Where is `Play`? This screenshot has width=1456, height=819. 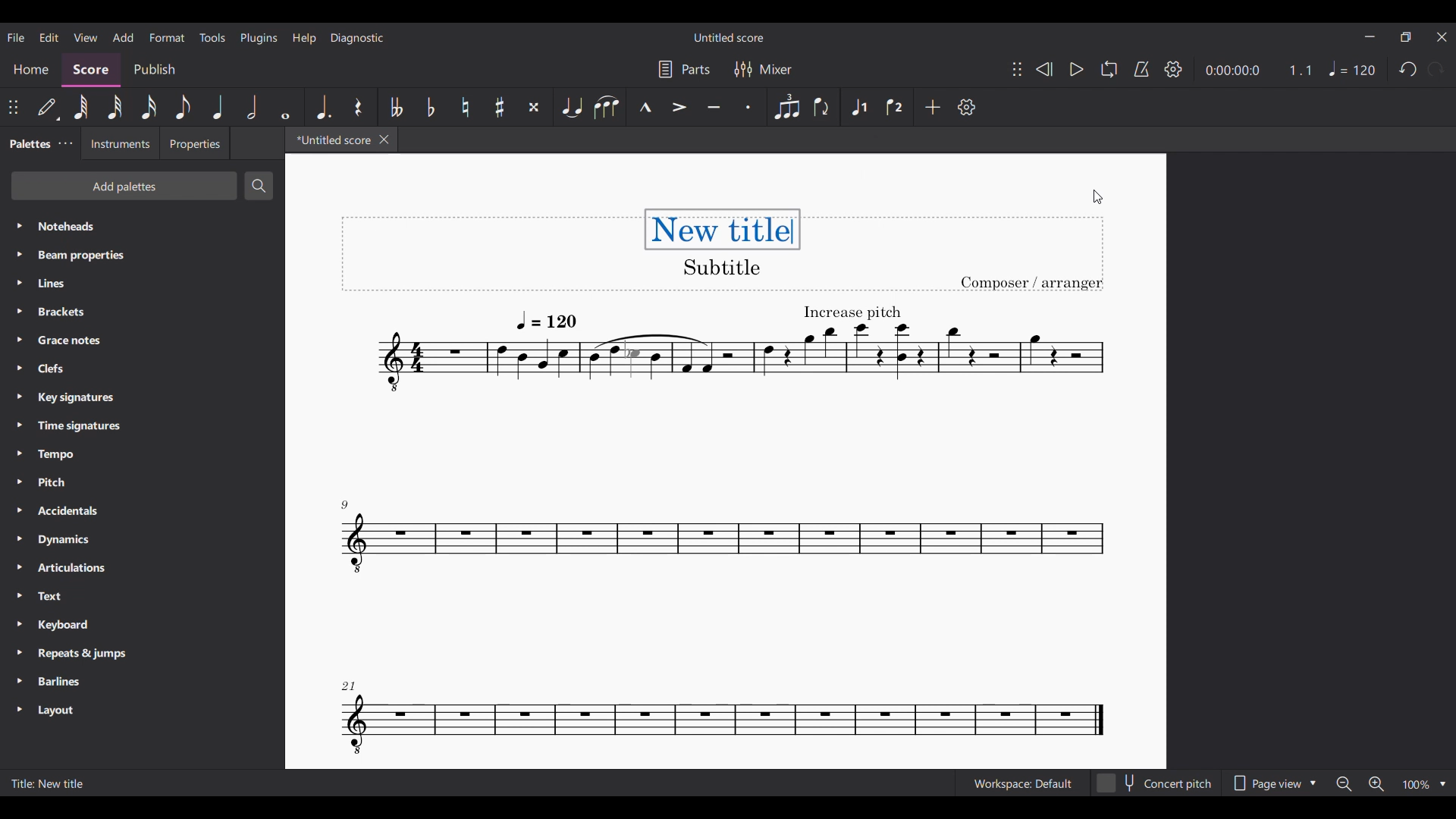
Play is located at coordinates (1078, 69).